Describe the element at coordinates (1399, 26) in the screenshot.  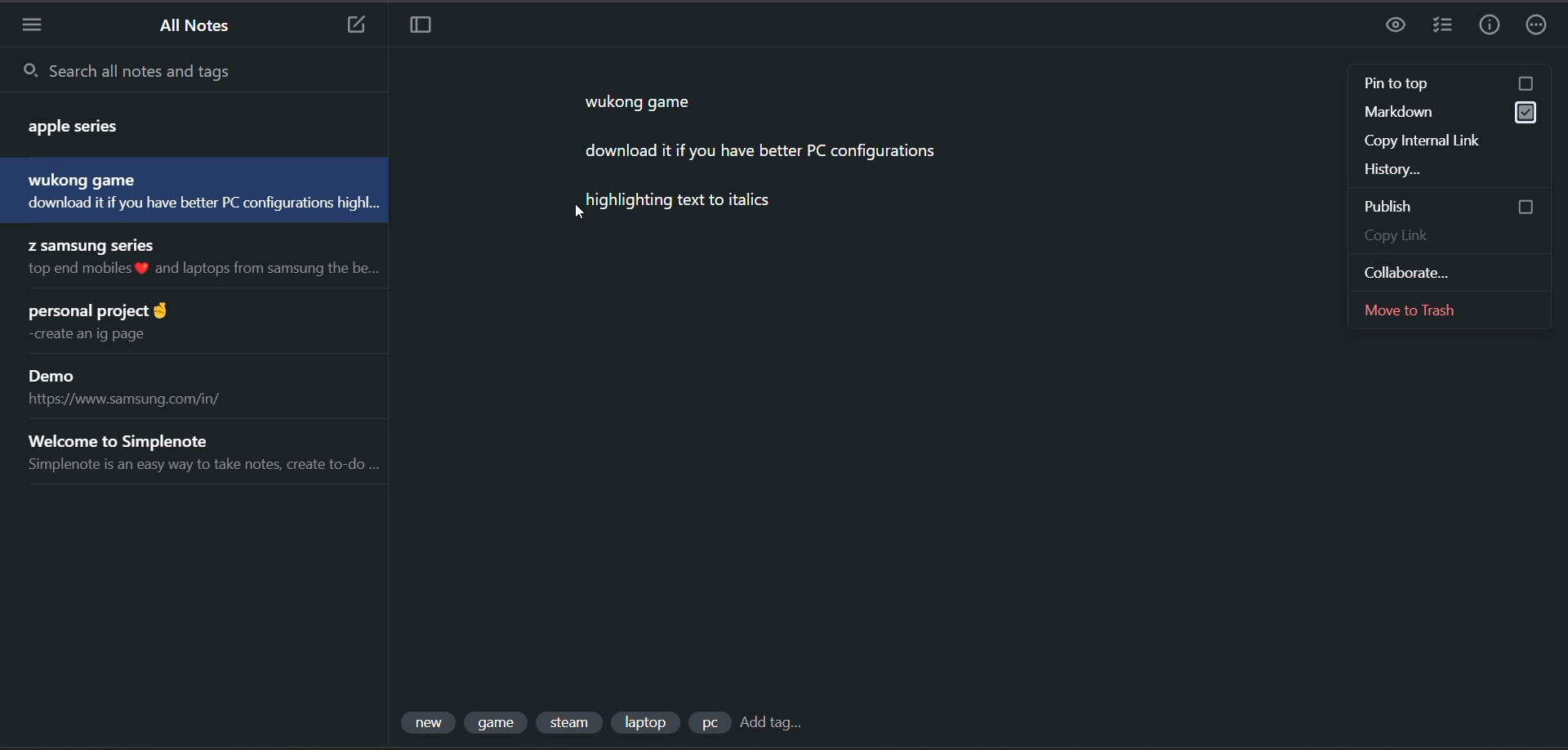
I see `task preview` at that location.